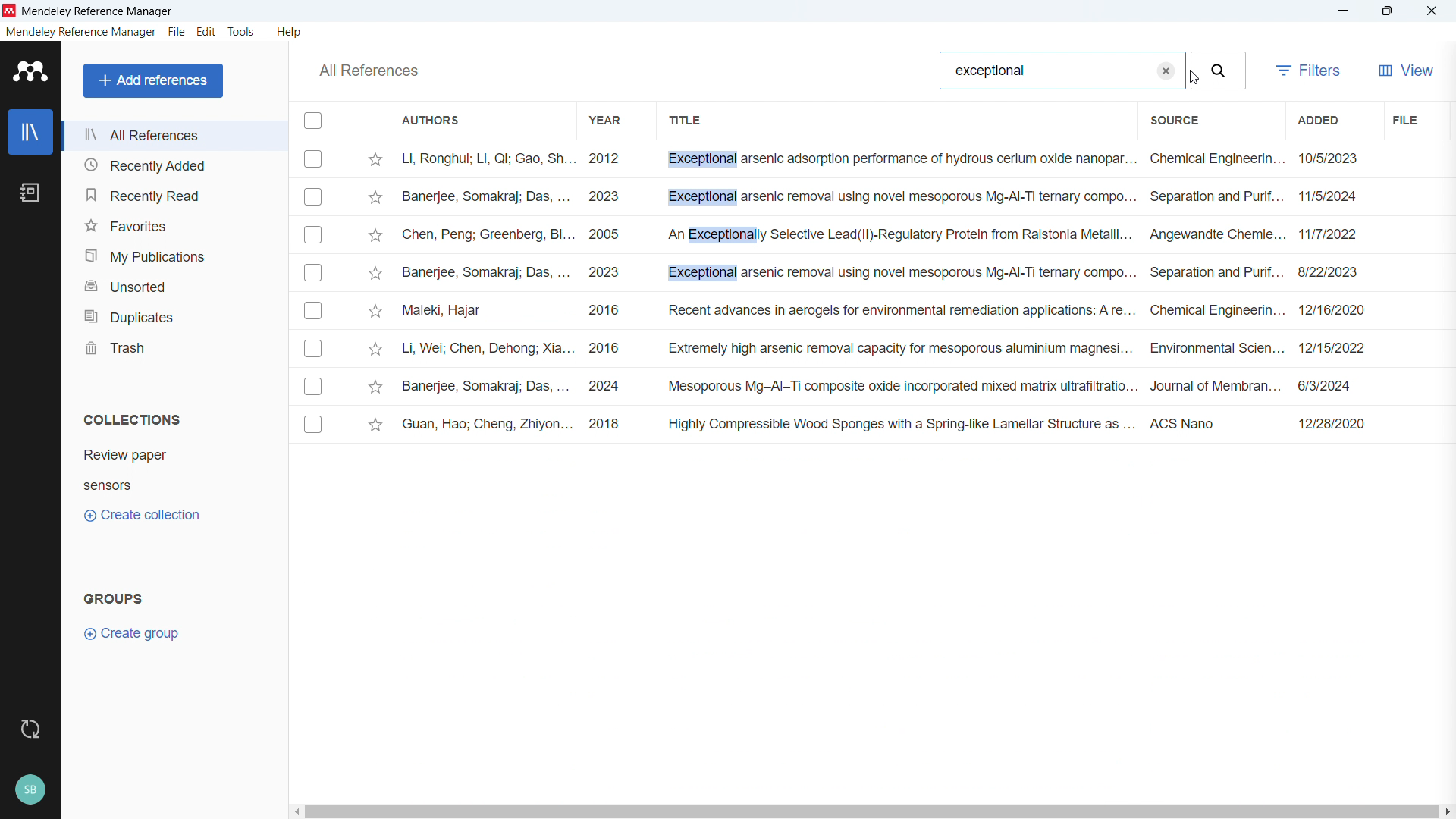 This screenshot has width=1456, height=819. I want to click on Profile , so click(30, 791).